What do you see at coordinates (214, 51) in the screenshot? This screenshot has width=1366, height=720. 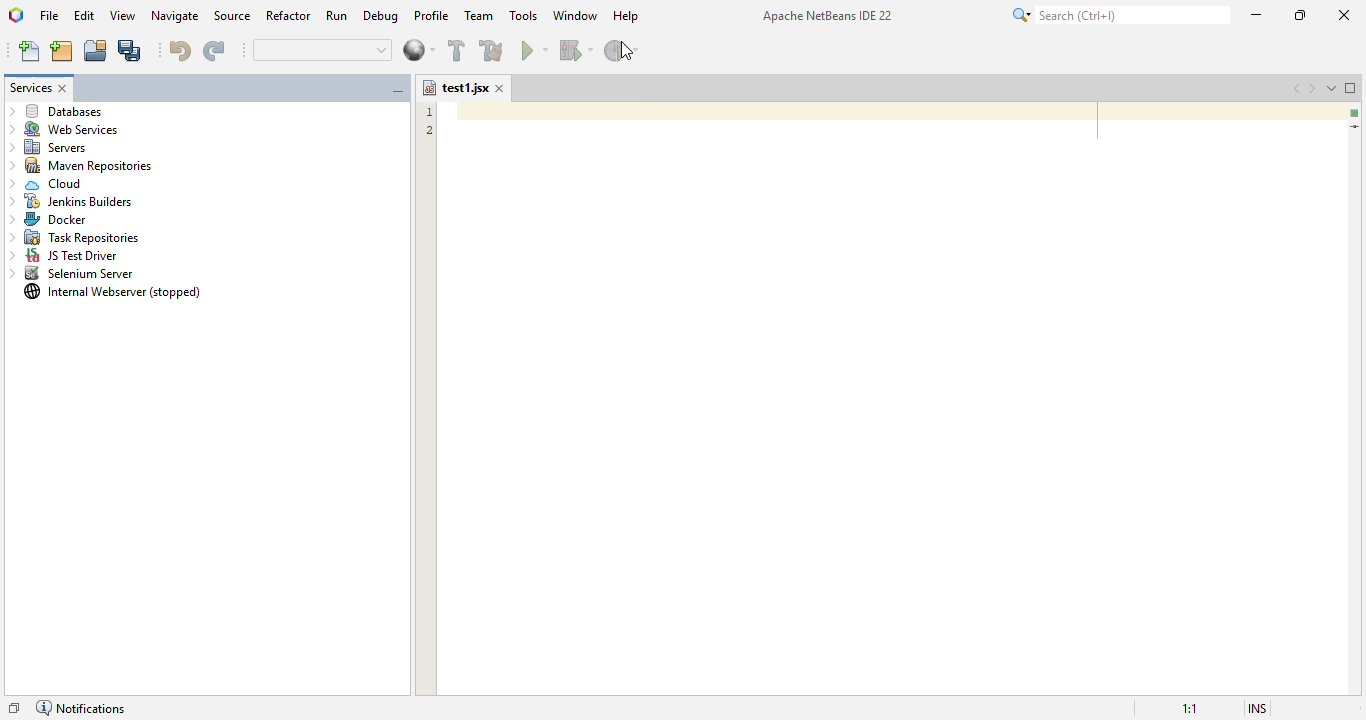 I see `redo` at bounding box center [214, 51].